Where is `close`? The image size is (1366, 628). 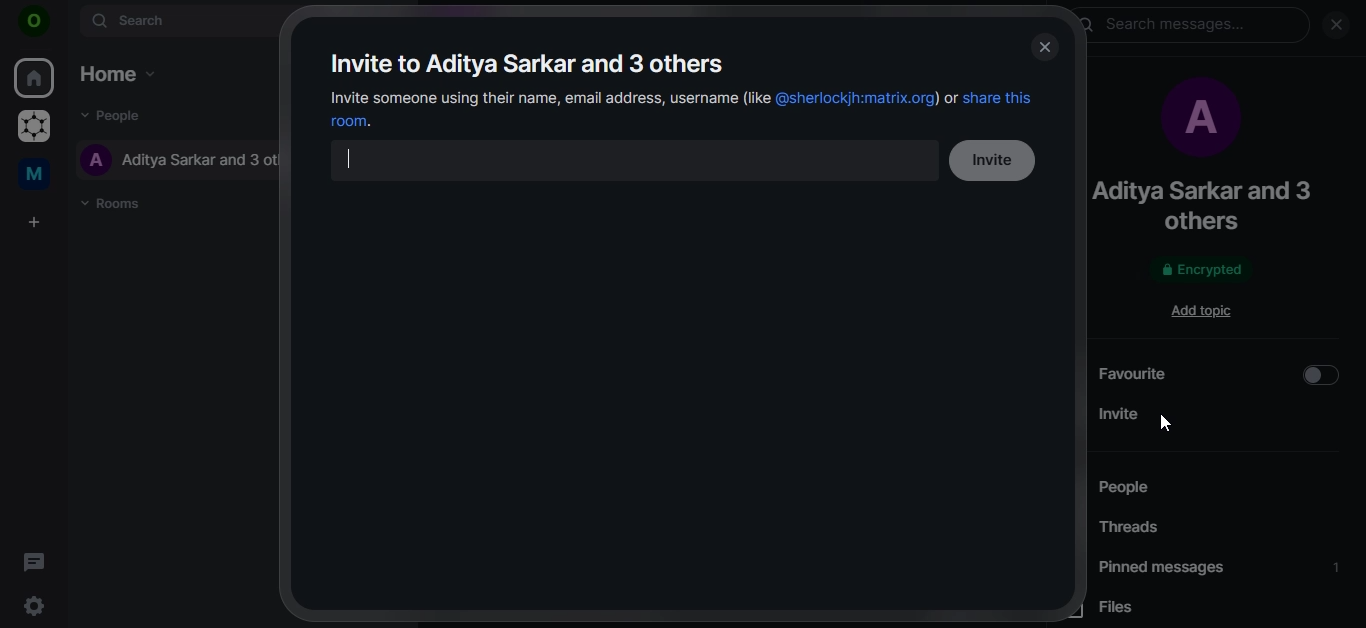
close is located at coordinates (1336, 26).